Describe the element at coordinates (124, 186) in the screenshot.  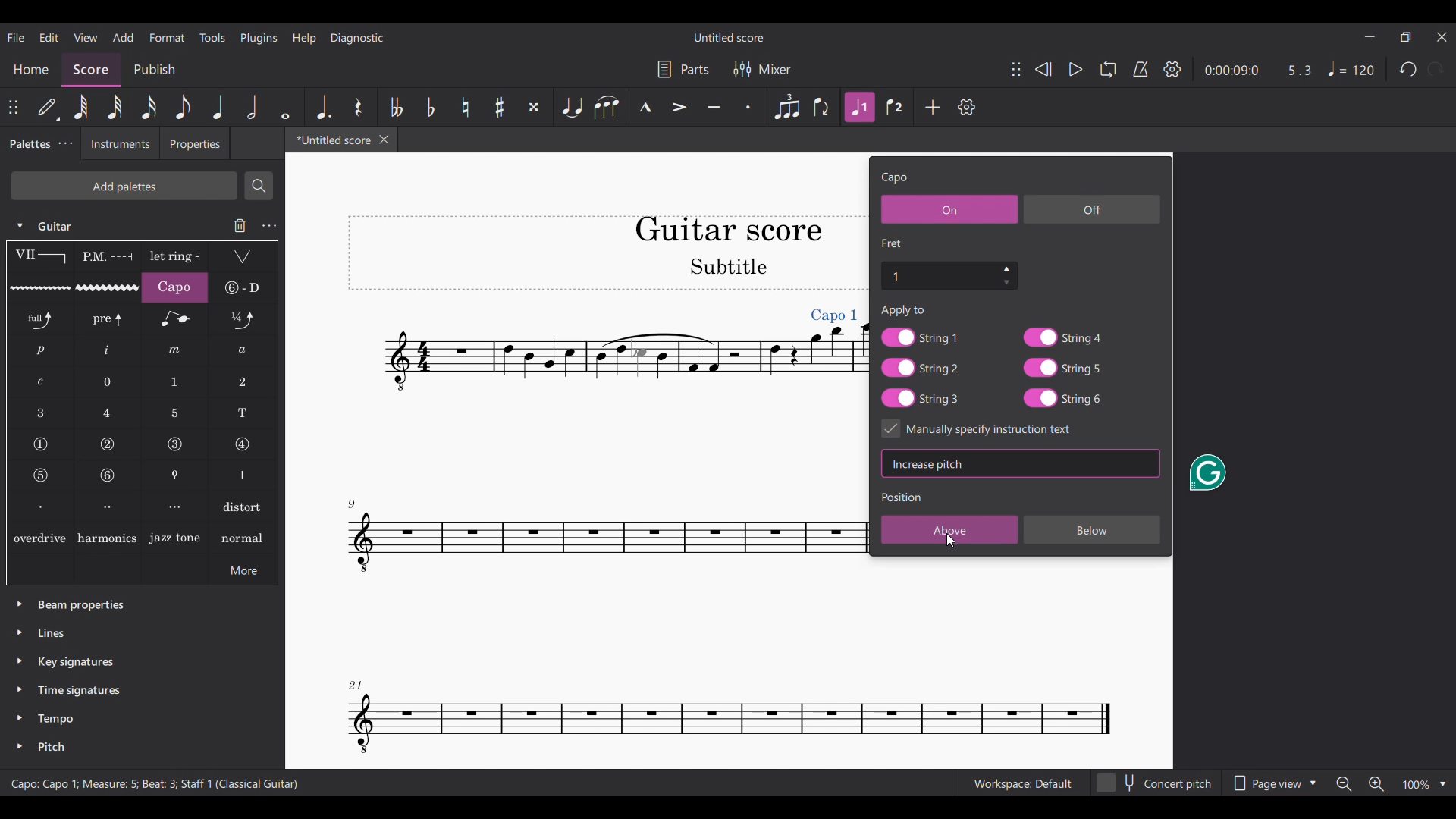
I see `Add palette` at that location.